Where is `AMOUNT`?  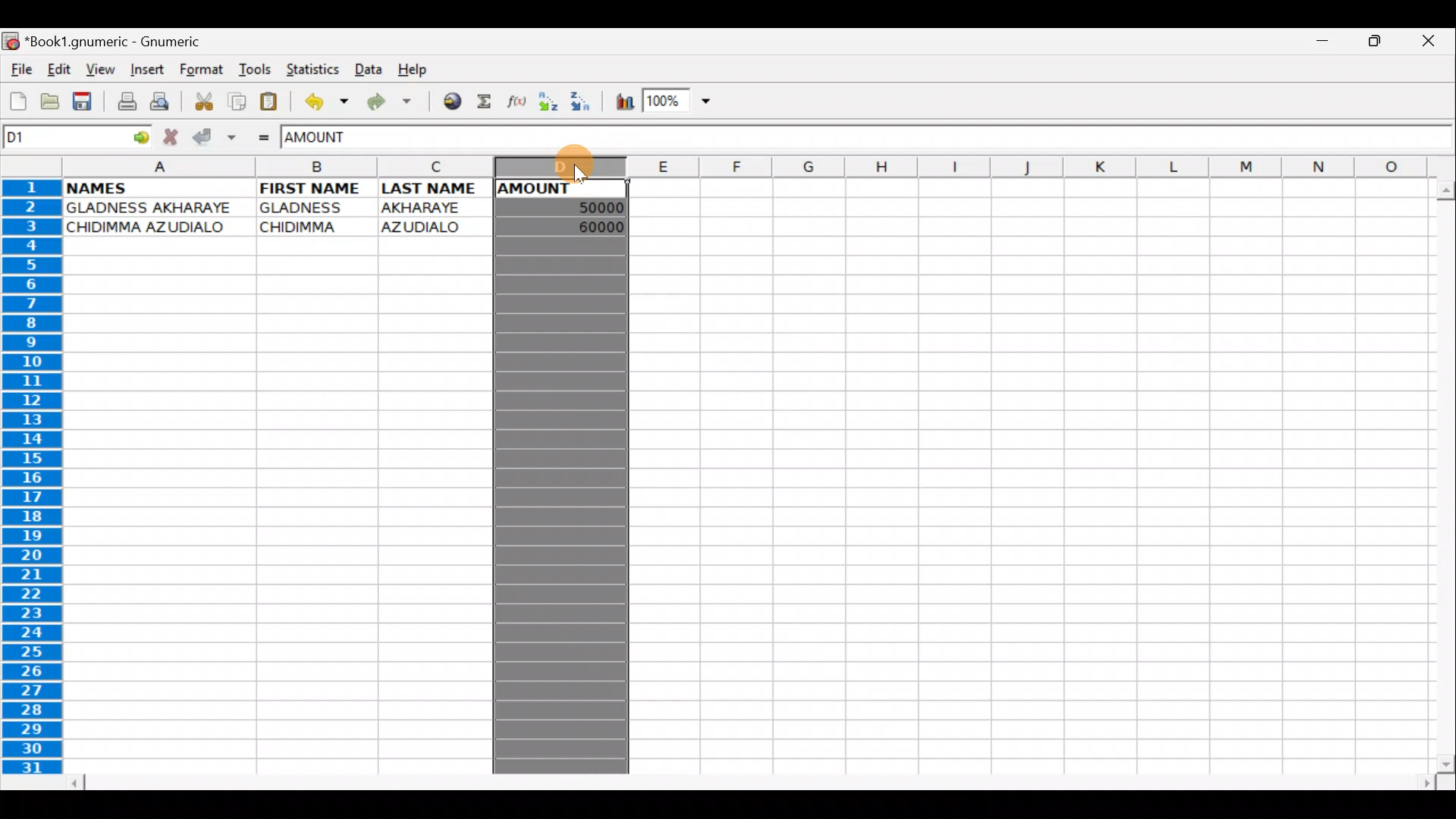 AMOUNT is located at coordinates (332, 139).